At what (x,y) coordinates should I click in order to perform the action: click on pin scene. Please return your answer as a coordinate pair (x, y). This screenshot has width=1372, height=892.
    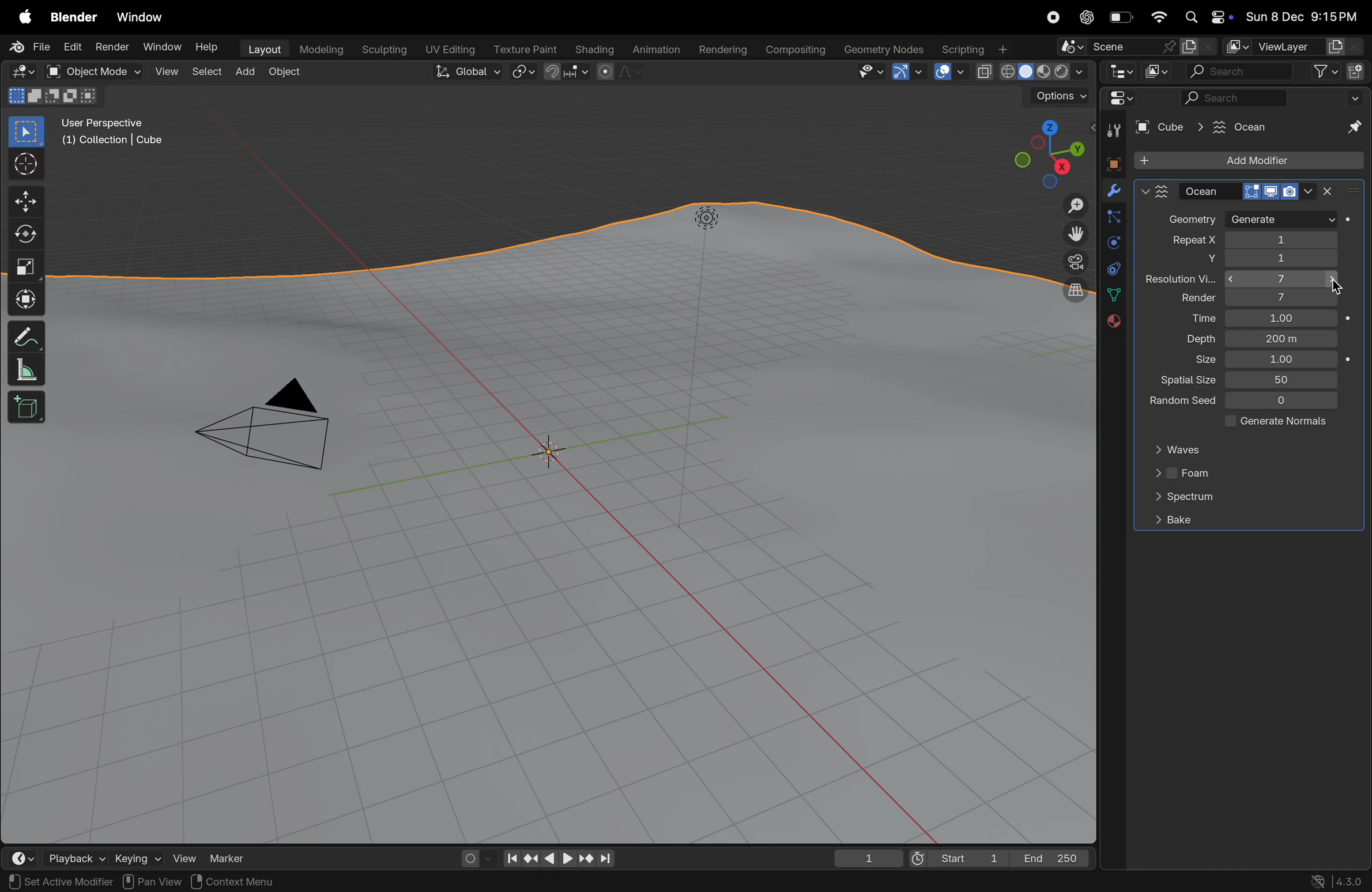
    Looking at the image, I should click on (1114, 48).